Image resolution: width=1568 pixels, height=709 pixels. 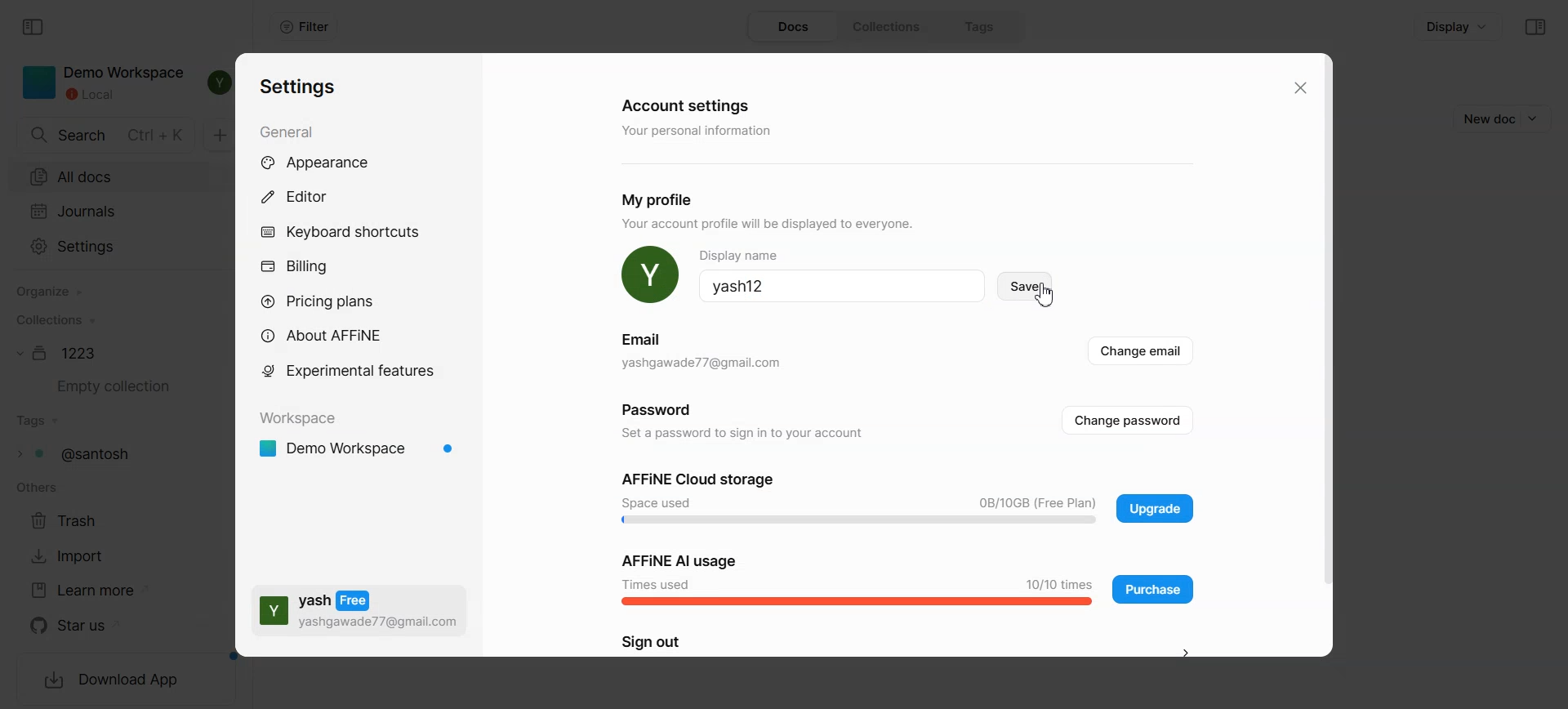 I want to click on Learn more, so click(x=90, y=591).